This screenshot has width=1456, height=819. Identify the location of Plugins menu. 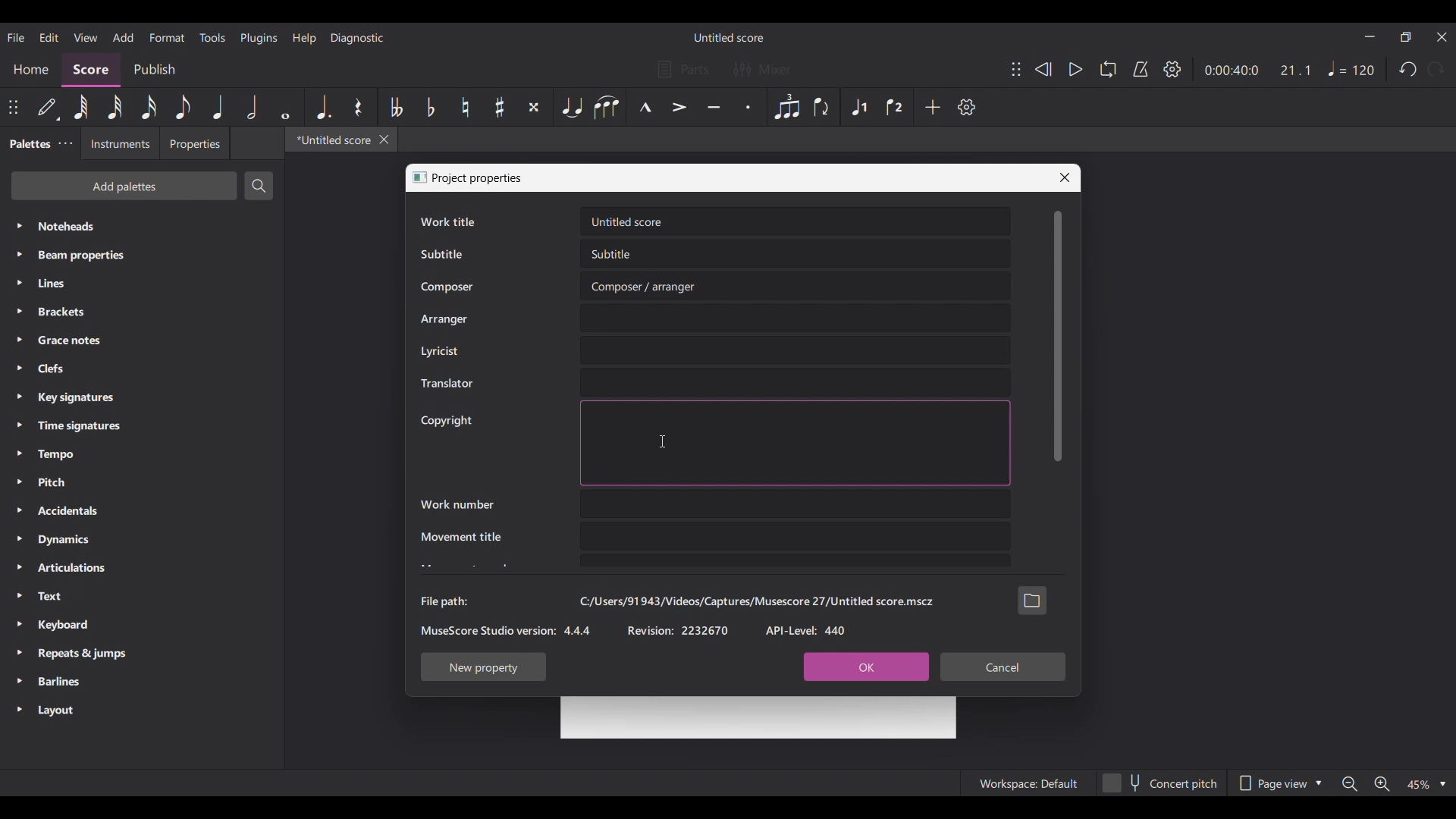
(259, 38).